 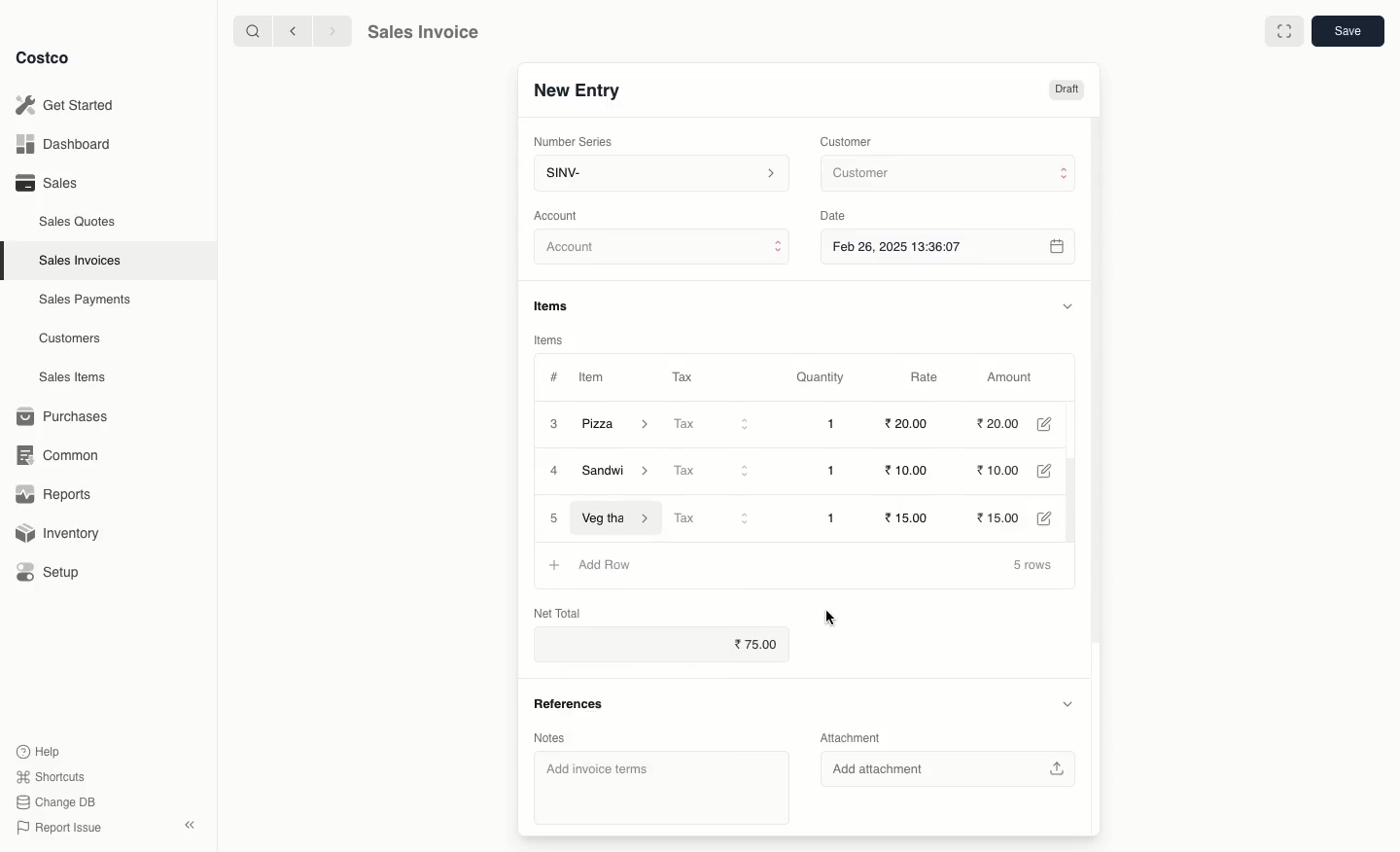 What do you see at coordinates (558, 305) in the screenshot?
I see `Items` at bounding box center [558, 305].